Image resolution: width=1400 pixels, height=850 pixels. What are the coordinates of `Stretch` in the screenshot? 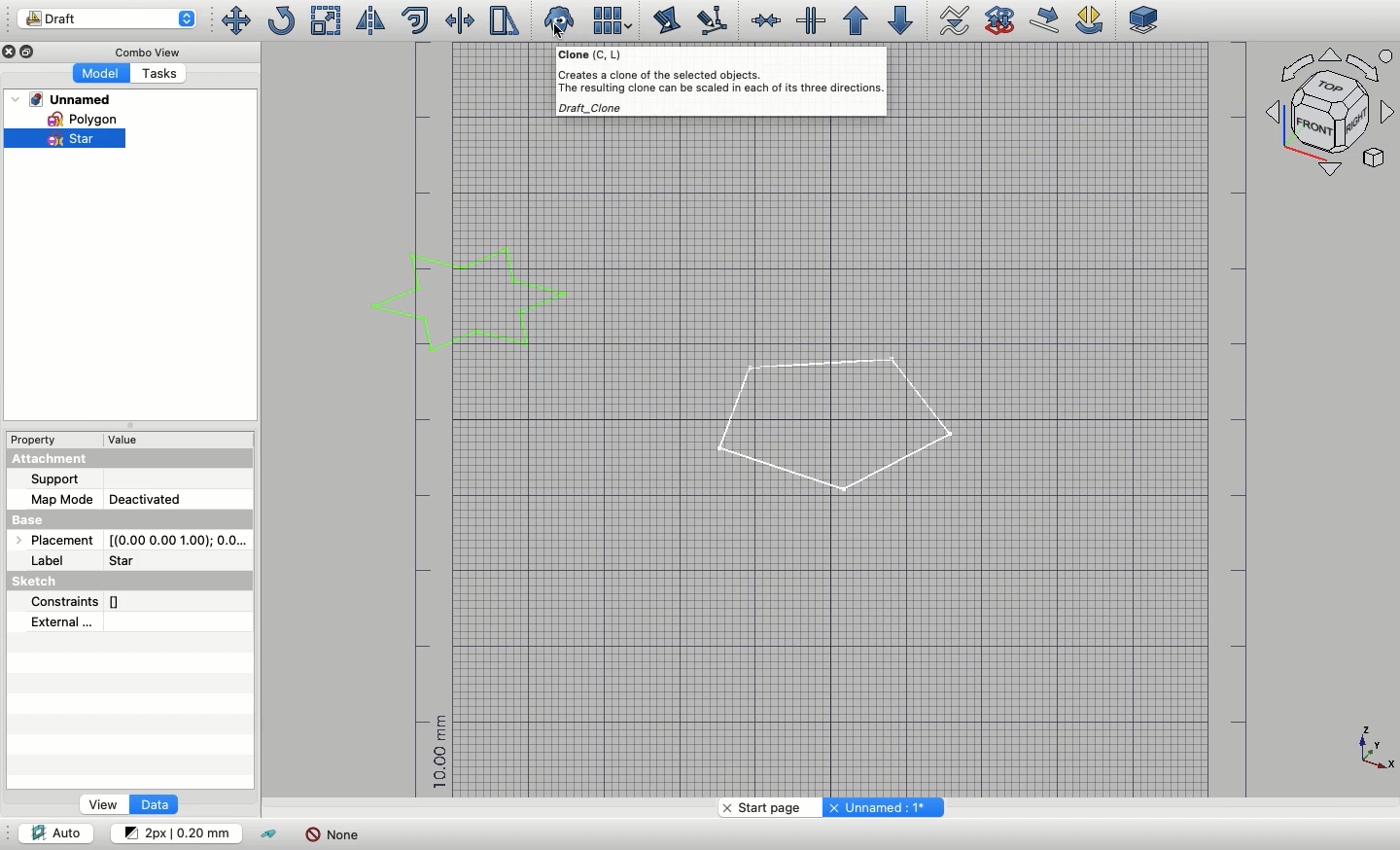 It's located at (503, 20).